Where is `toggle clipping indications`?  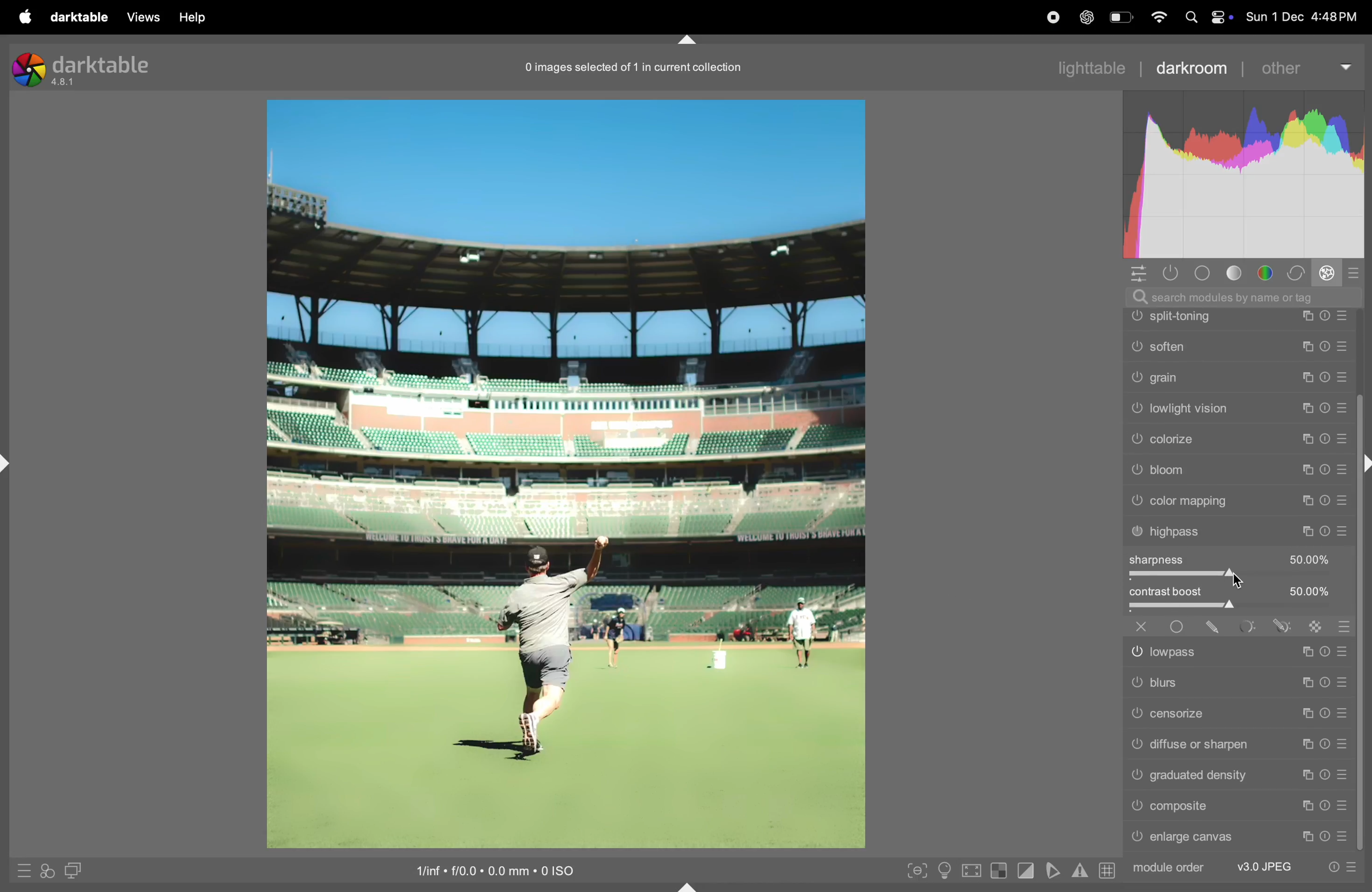 toggle clipping indications is located at coordinates (1025, 872).